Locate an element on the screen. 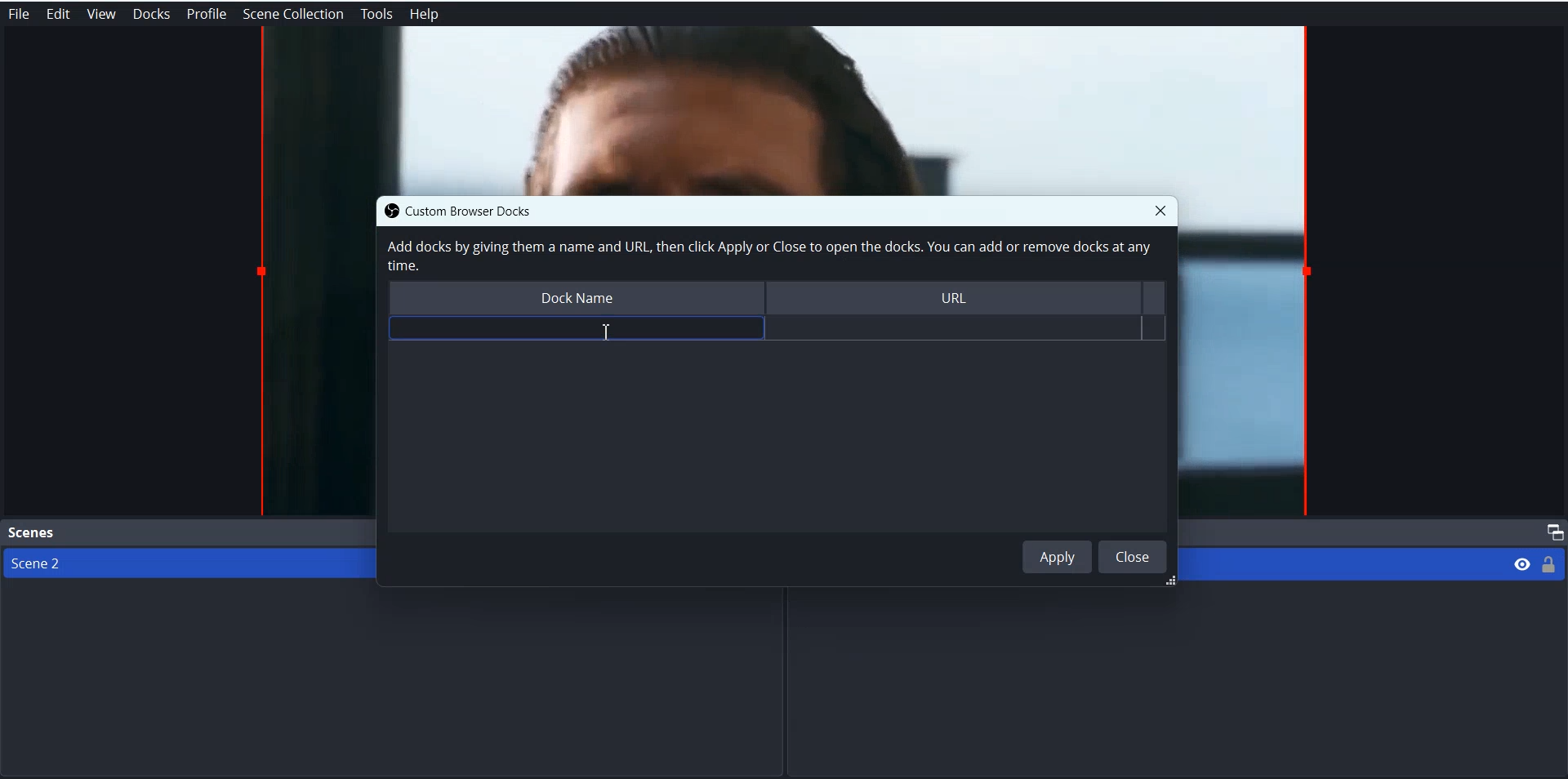  resize is located at coordinates (1167, 582).